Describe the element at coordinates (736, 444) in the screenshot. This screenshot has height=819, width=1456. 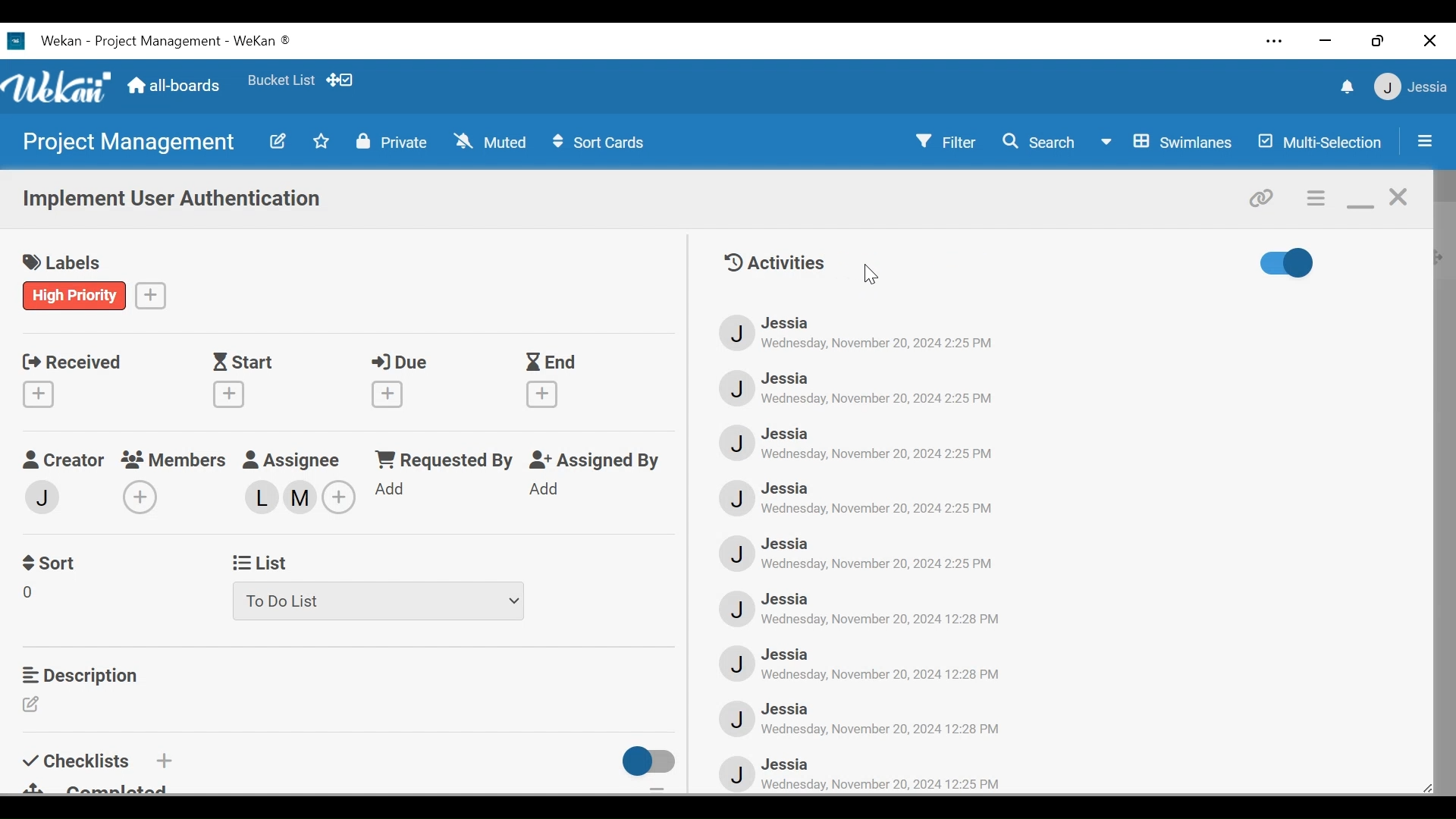
I see `Avatar` at that location.